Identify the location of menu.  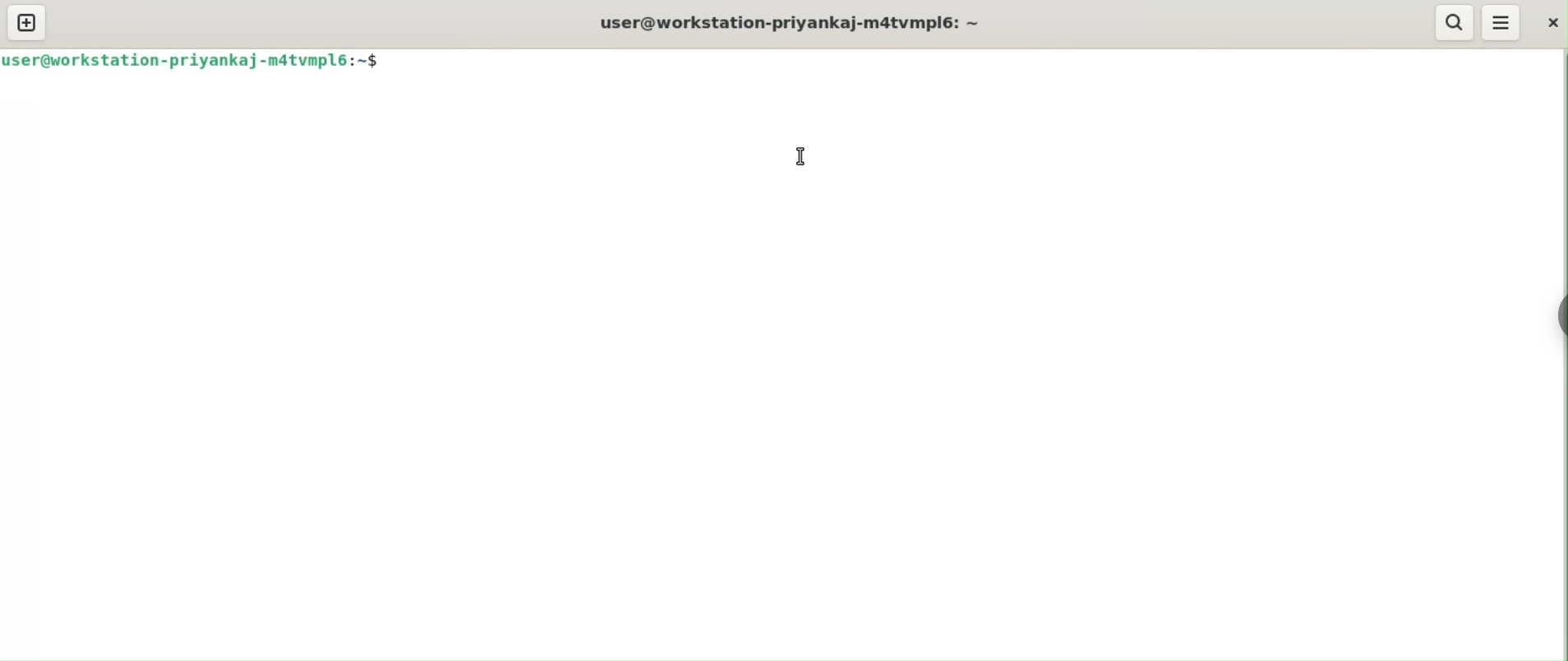
(1500, 23).